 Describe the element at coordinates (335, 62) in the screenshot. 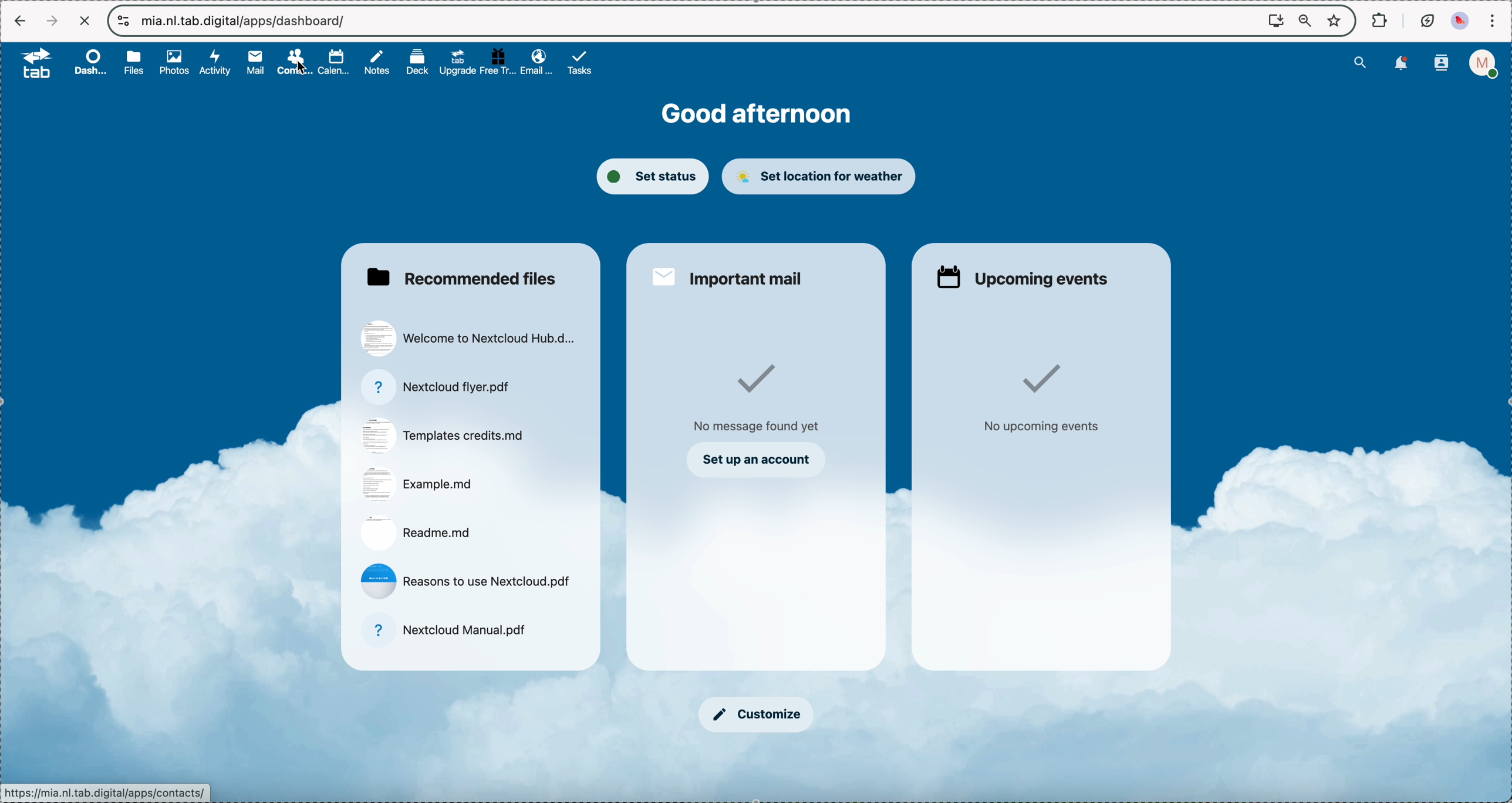

I see `calendar` at that location.